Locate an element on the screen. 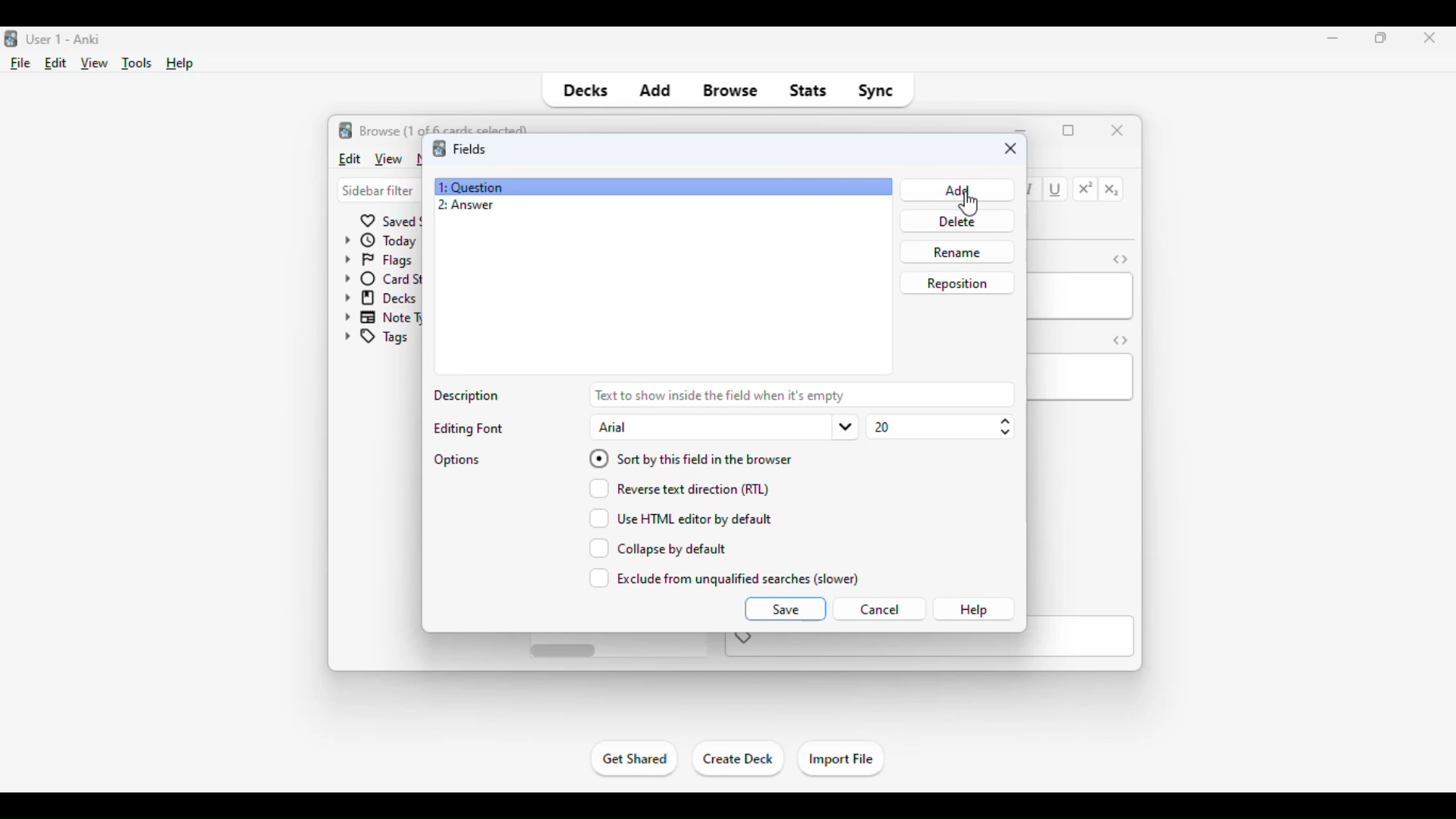 The width and height of the screenshot is (1456, 819). maximize is located at coordinates (1068, 130).